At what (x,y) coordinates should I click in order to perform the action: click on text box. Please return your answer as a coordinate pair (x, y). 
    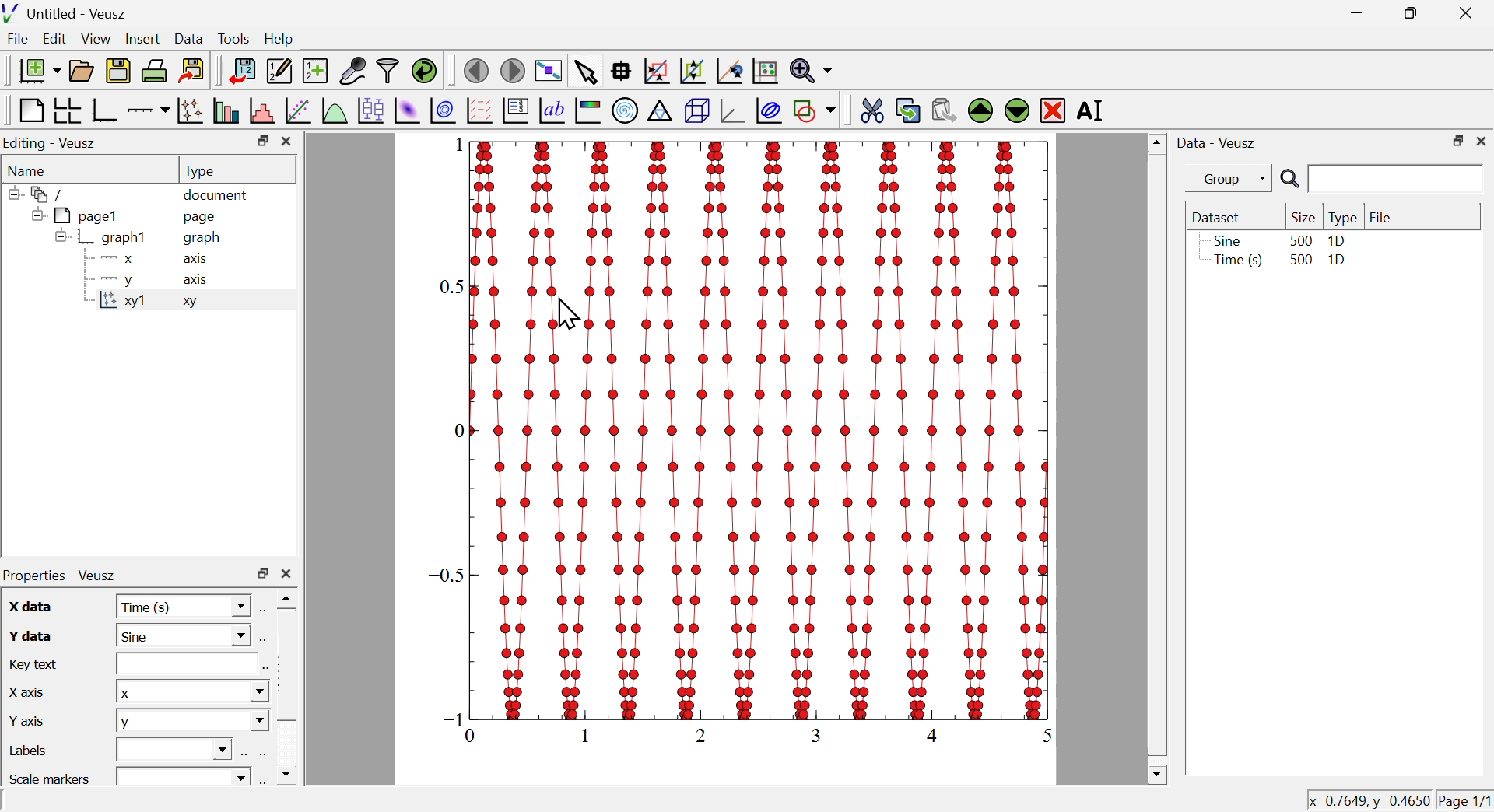
    Looking at the image, I should click on (184, 775).